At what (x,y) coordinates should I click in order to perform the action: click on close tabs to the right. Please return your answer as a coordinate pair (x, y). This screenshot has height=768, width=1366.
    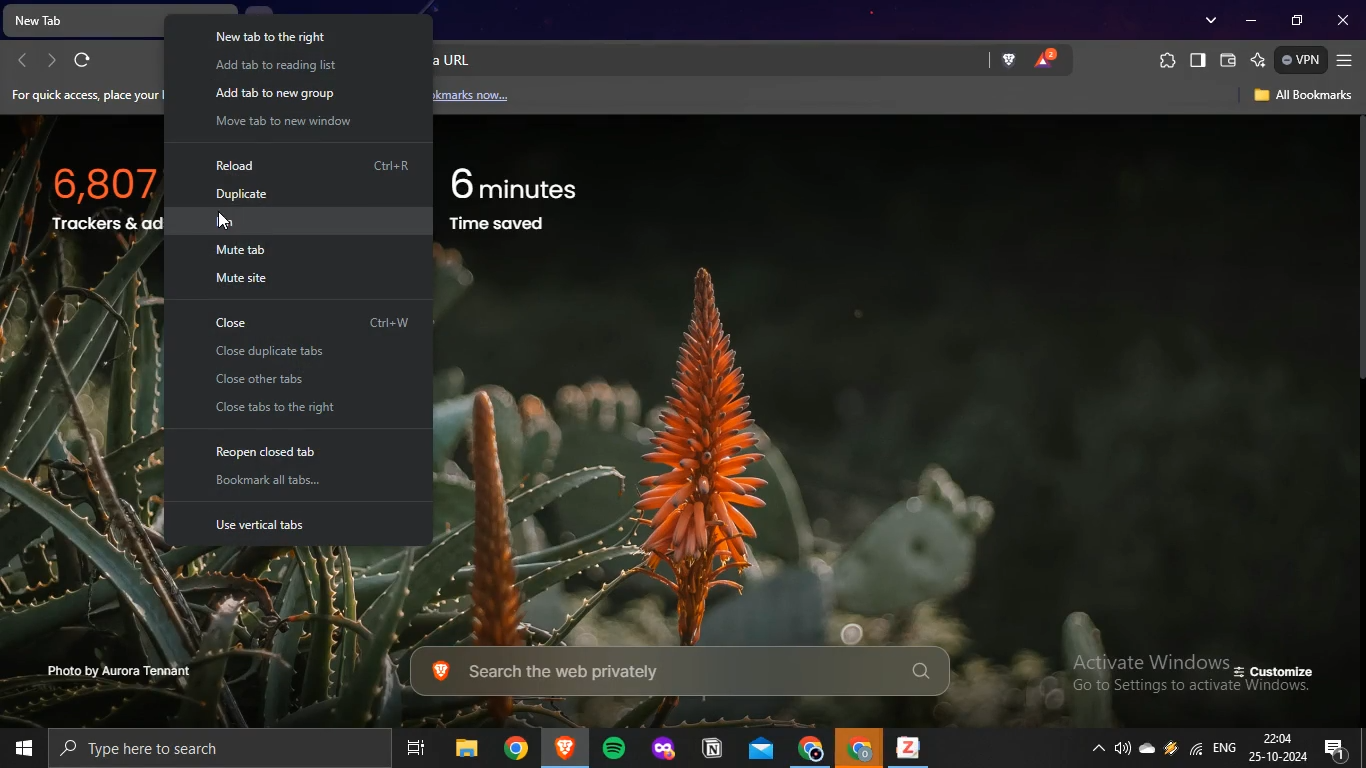
    Looking at the image, I should click on (285, 409).